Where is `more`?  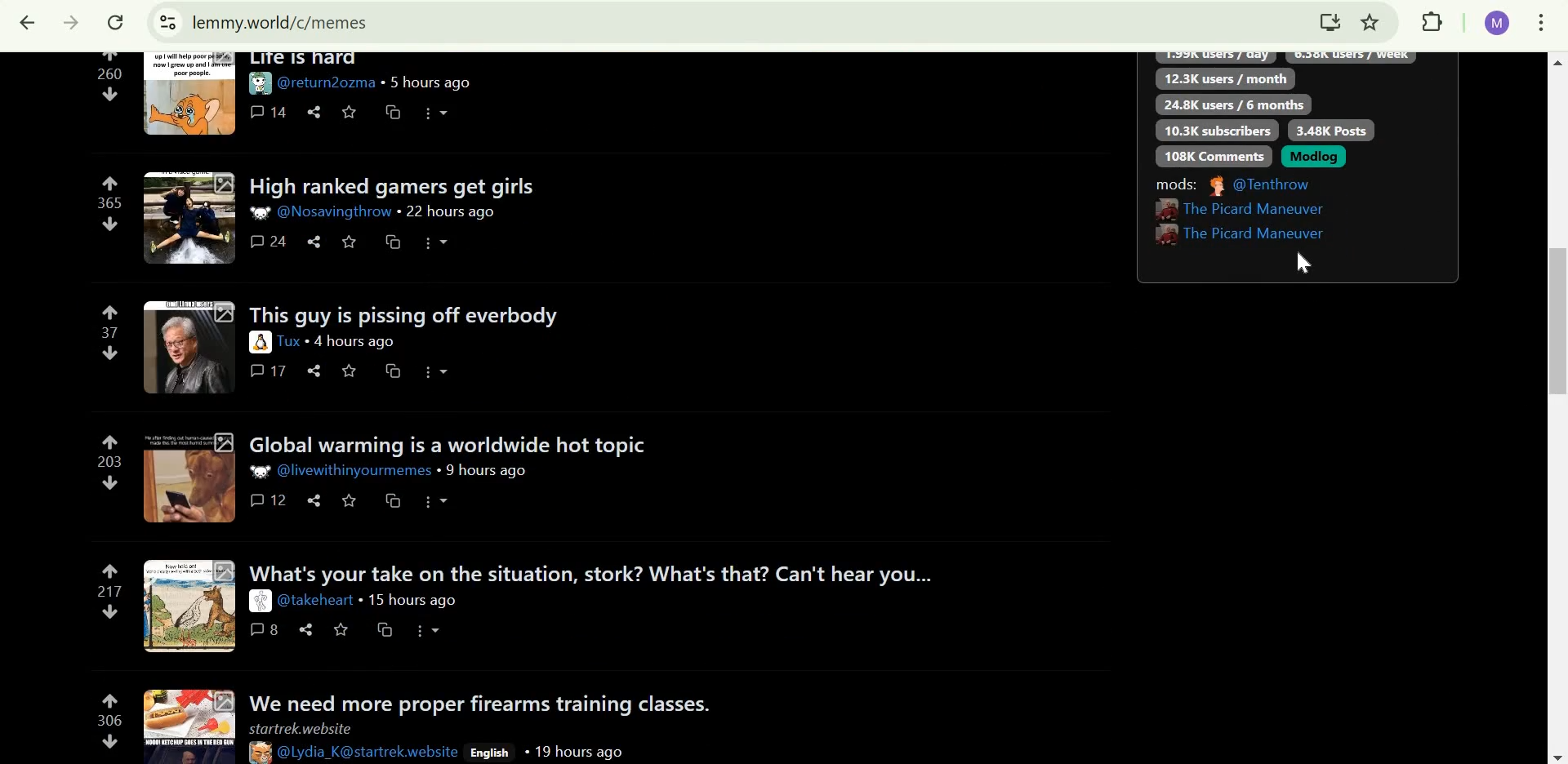 more is located at coordinates (434, 242).